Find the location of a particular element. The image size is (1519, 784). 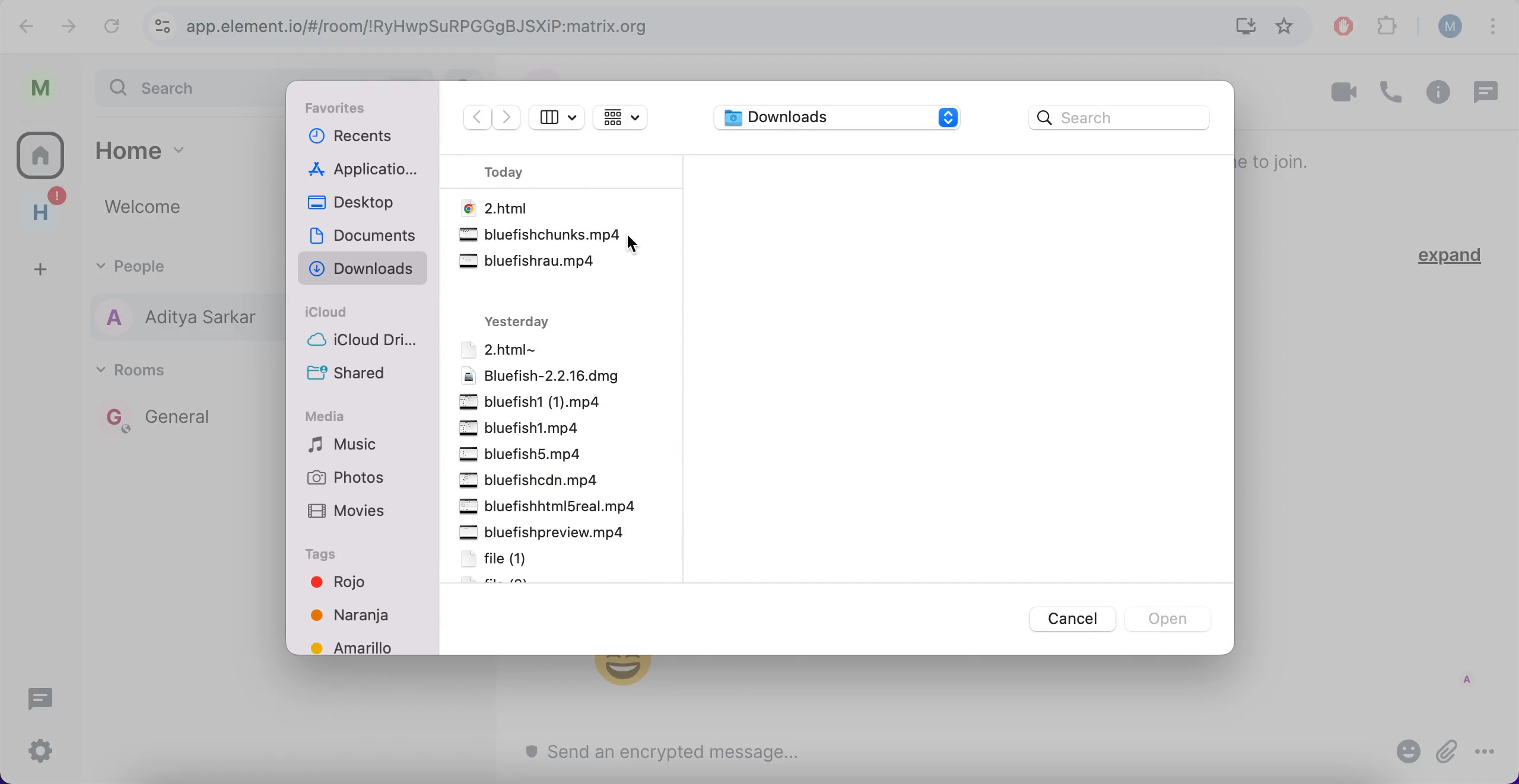

attachment is located at coordinates (1448, 752).